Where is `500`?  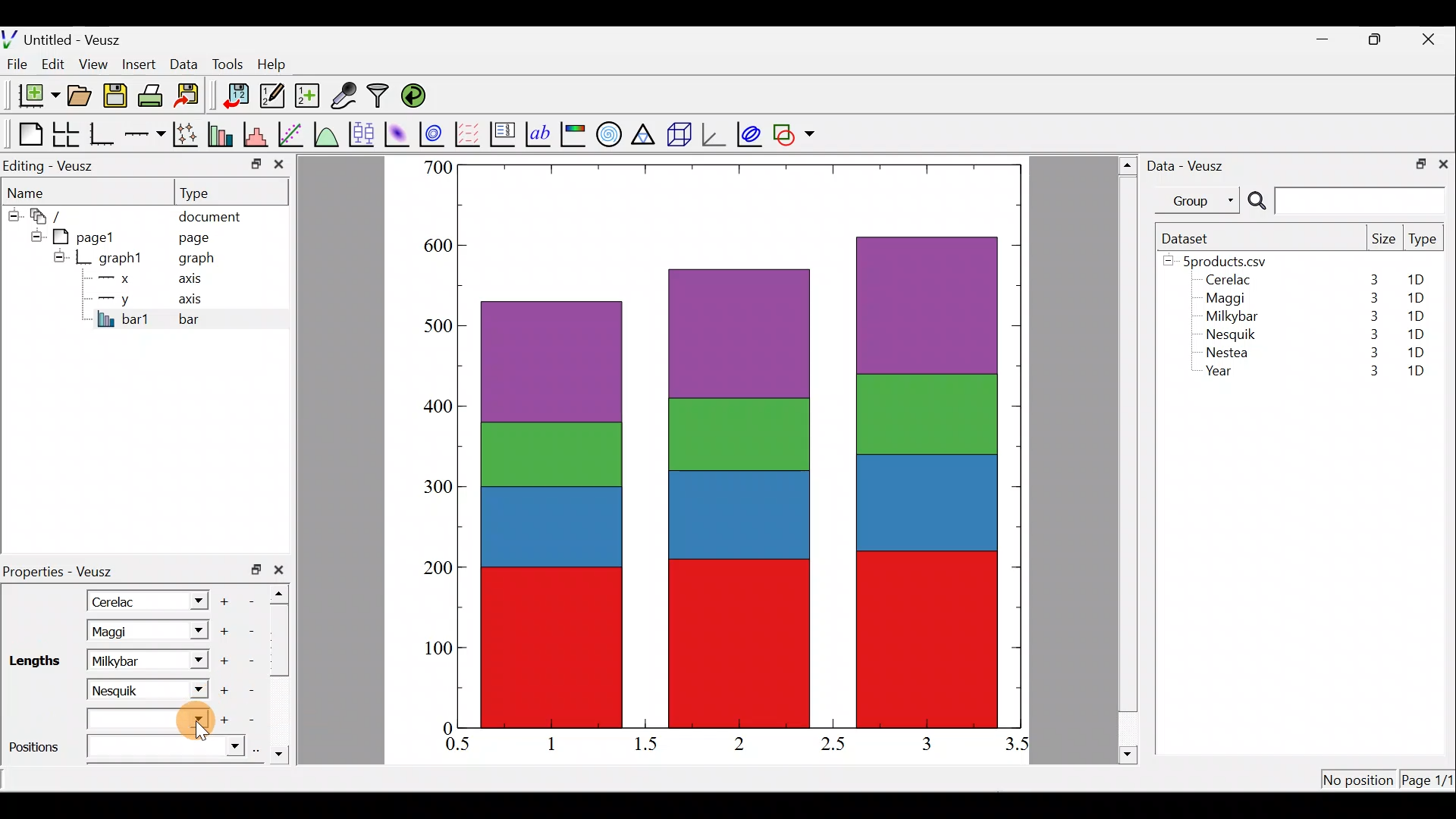
500 is located at coordinates (437, 167).